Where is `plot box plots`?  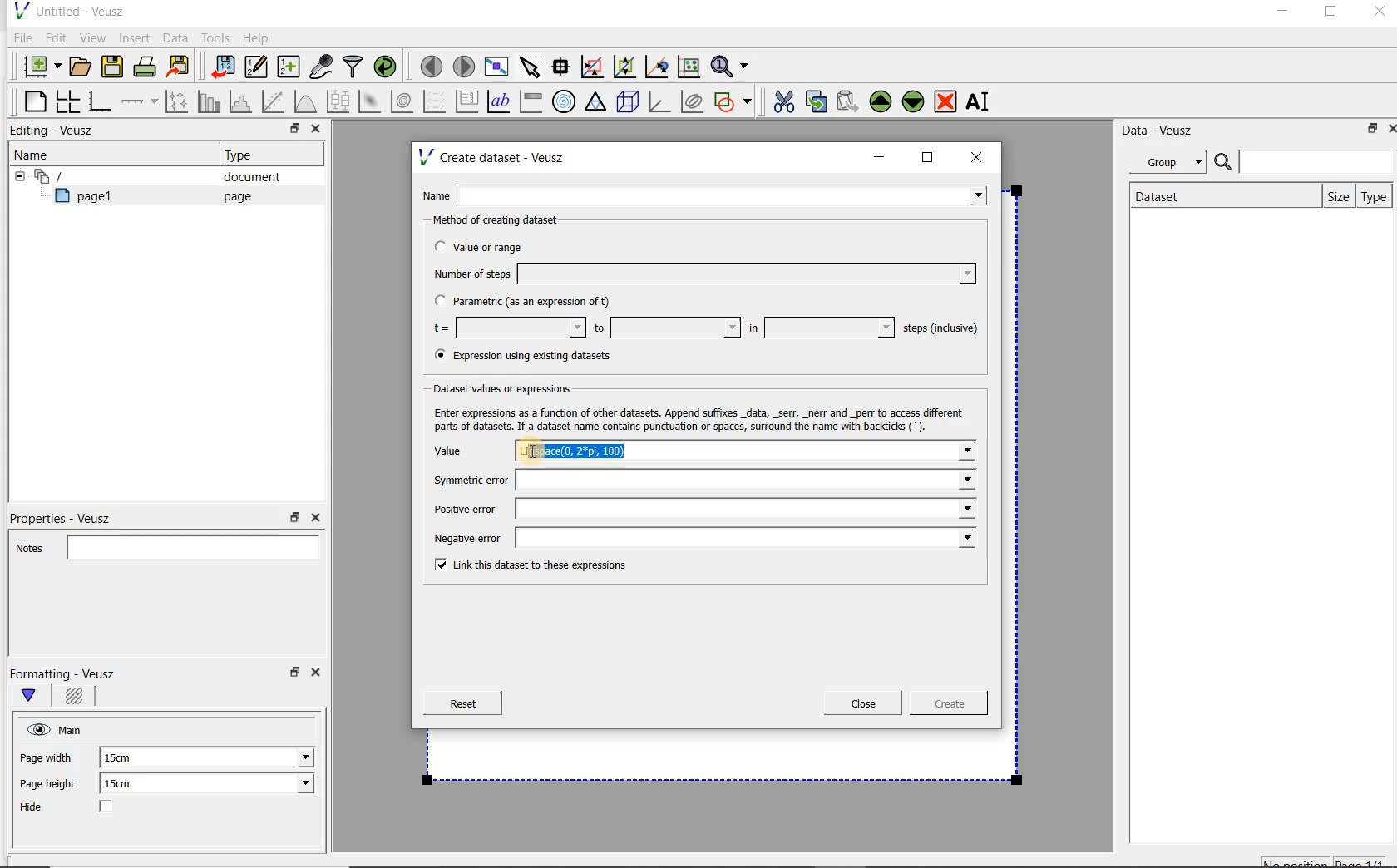 plot box plots is located at coordinates (338, 102).